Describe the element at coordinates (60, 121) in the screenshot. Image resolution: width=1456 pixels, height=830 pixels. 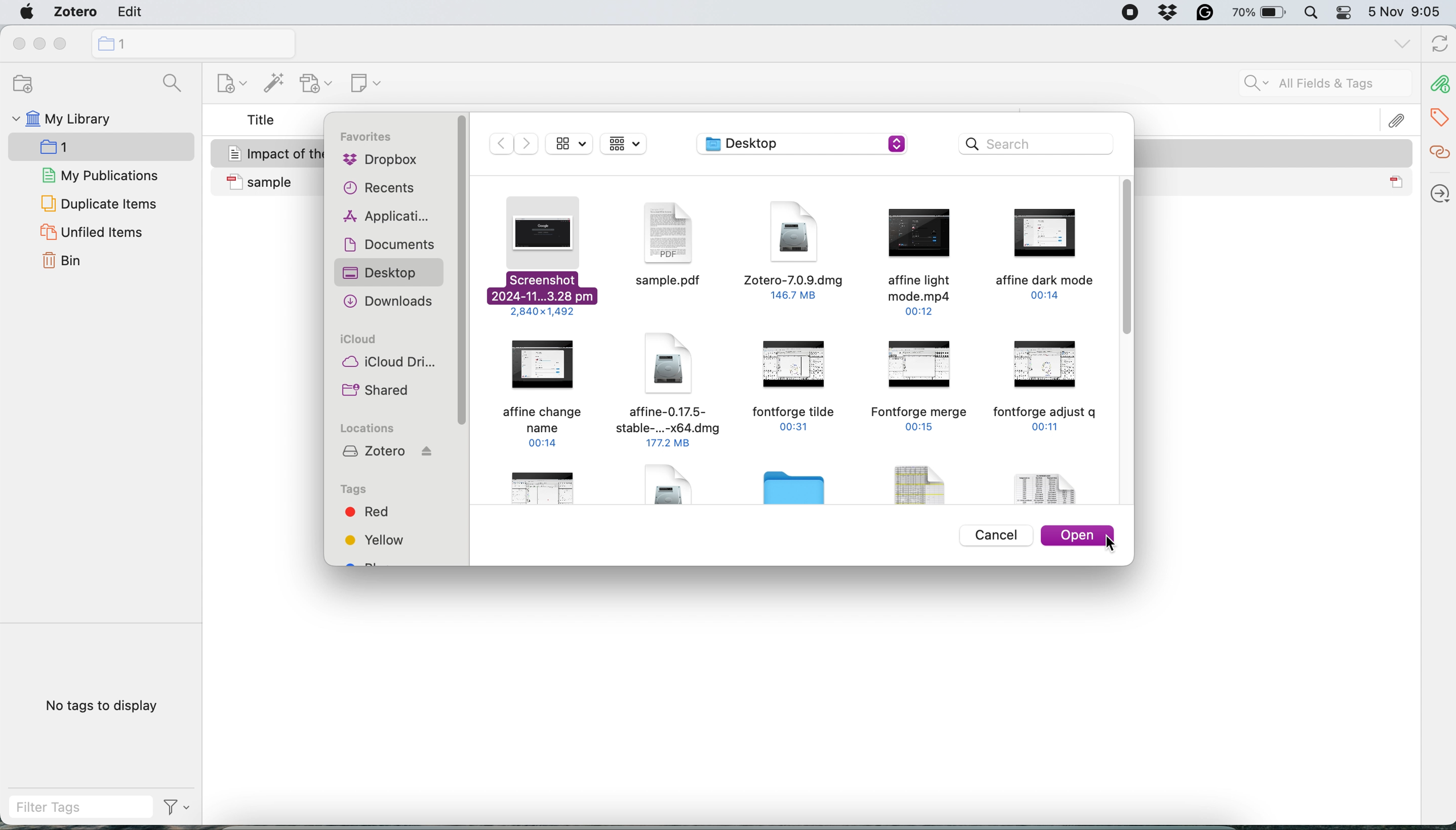
I see `my library` at that location.